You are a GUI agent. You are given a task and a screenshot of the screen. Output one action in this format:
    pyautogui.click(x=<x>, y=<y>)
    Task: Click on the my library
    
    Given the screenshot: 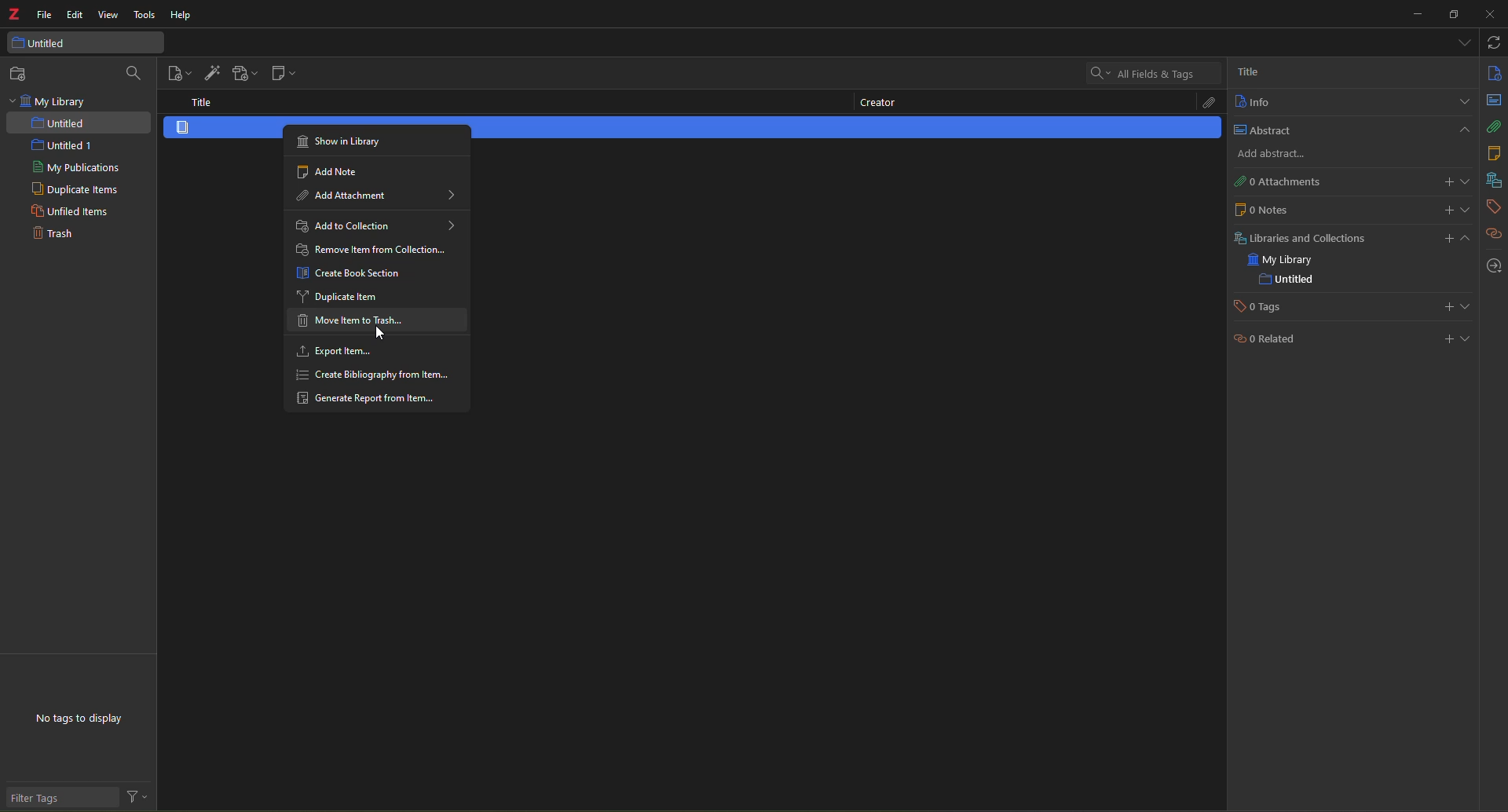 What is the action you would take?
    pyautogui.click(x=1284, y=261)
    